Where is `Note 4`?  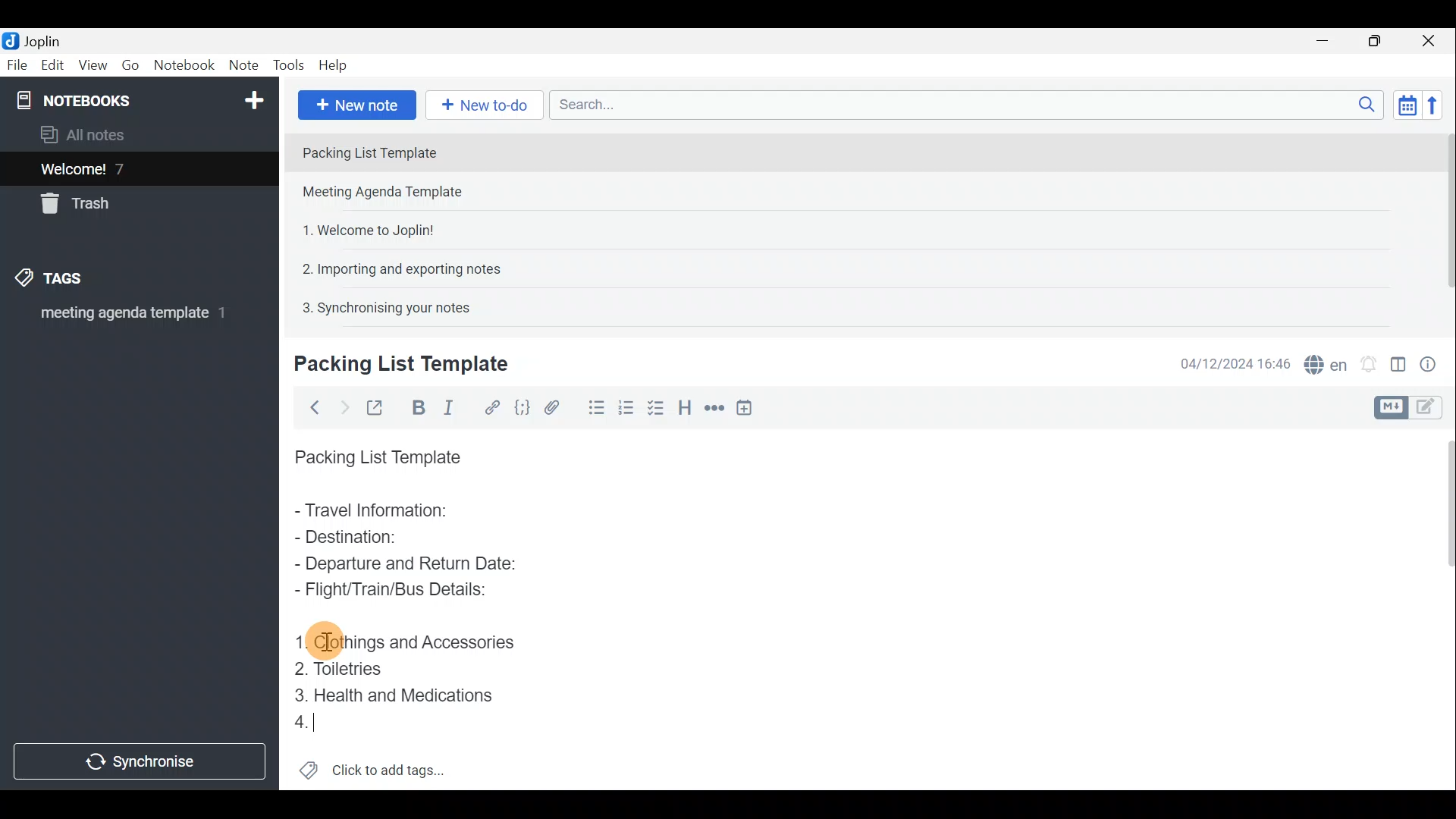 Note 4 is located at coordinates (394, 266).